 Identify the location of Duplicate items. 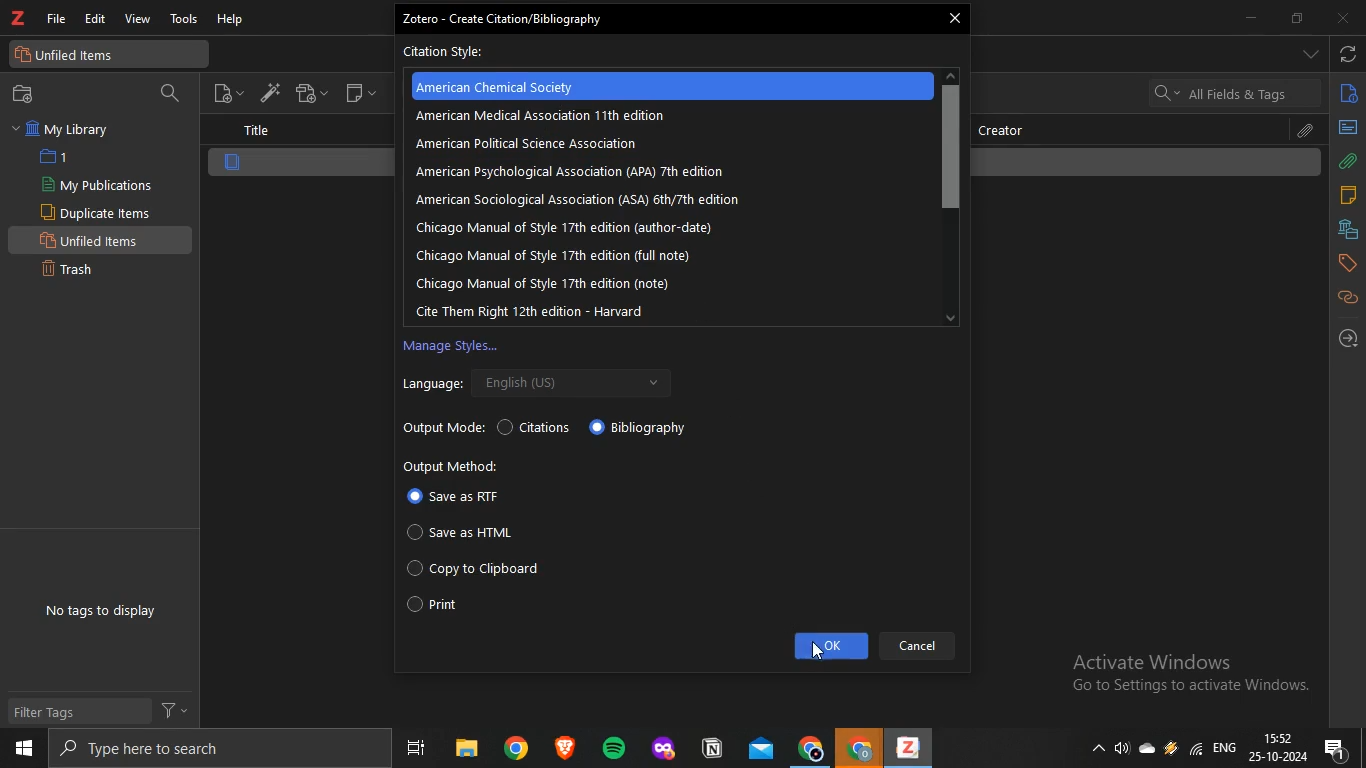
(97, 212).